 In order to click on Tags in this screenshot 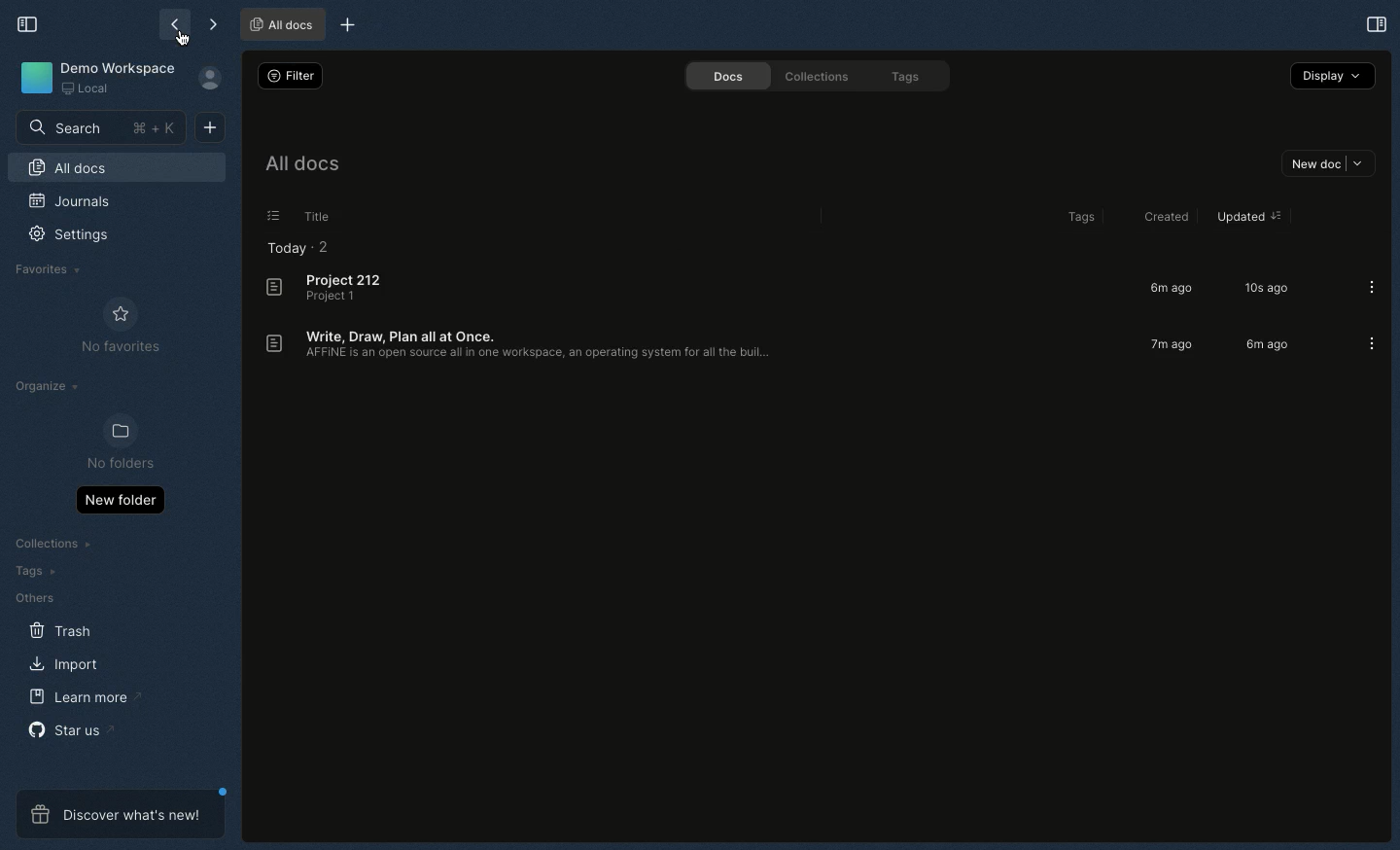, I will do `click(1083, 216)`.